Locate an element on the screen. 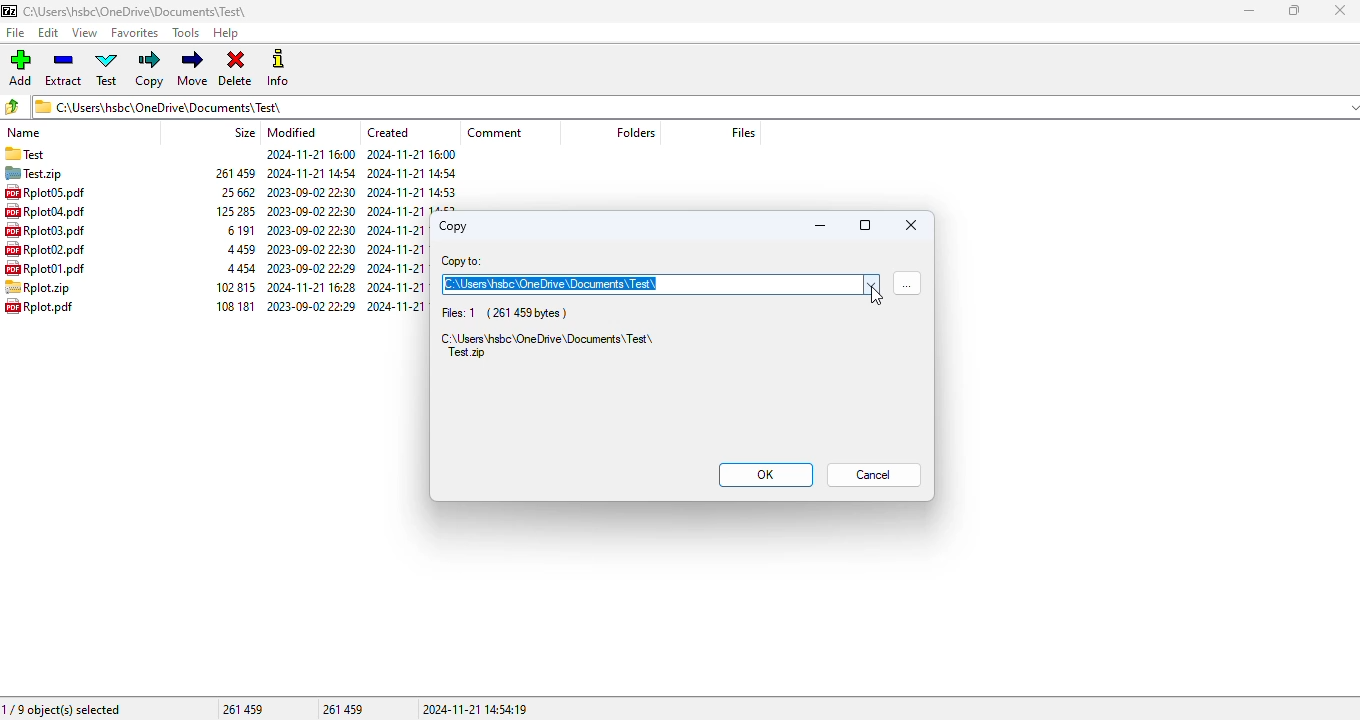 Image resolution: width=1360 pixels, height=720 pixels. file name is located at coordinates (44, 267).